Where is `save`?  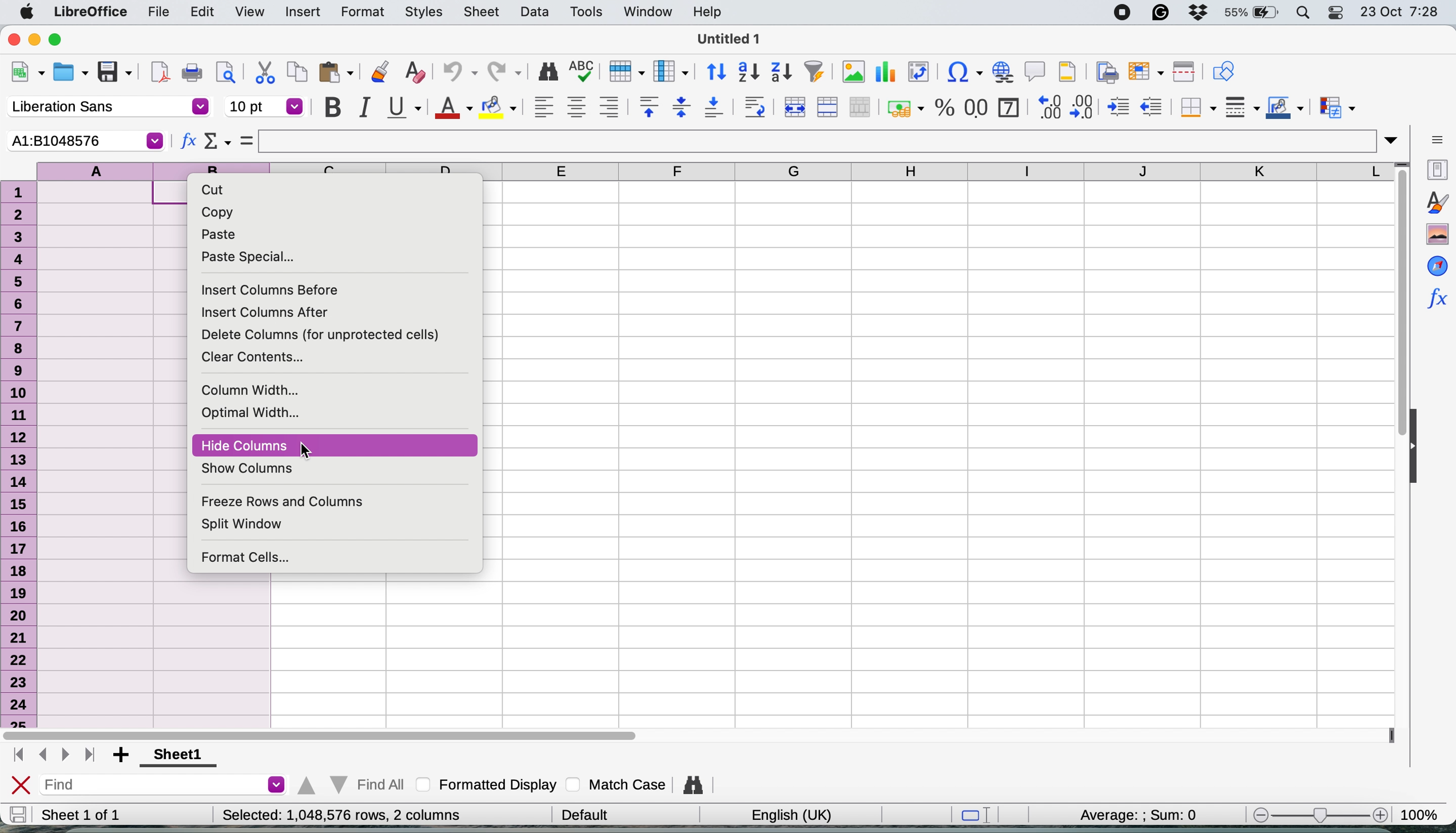 save is located at coordinates (116, 72).